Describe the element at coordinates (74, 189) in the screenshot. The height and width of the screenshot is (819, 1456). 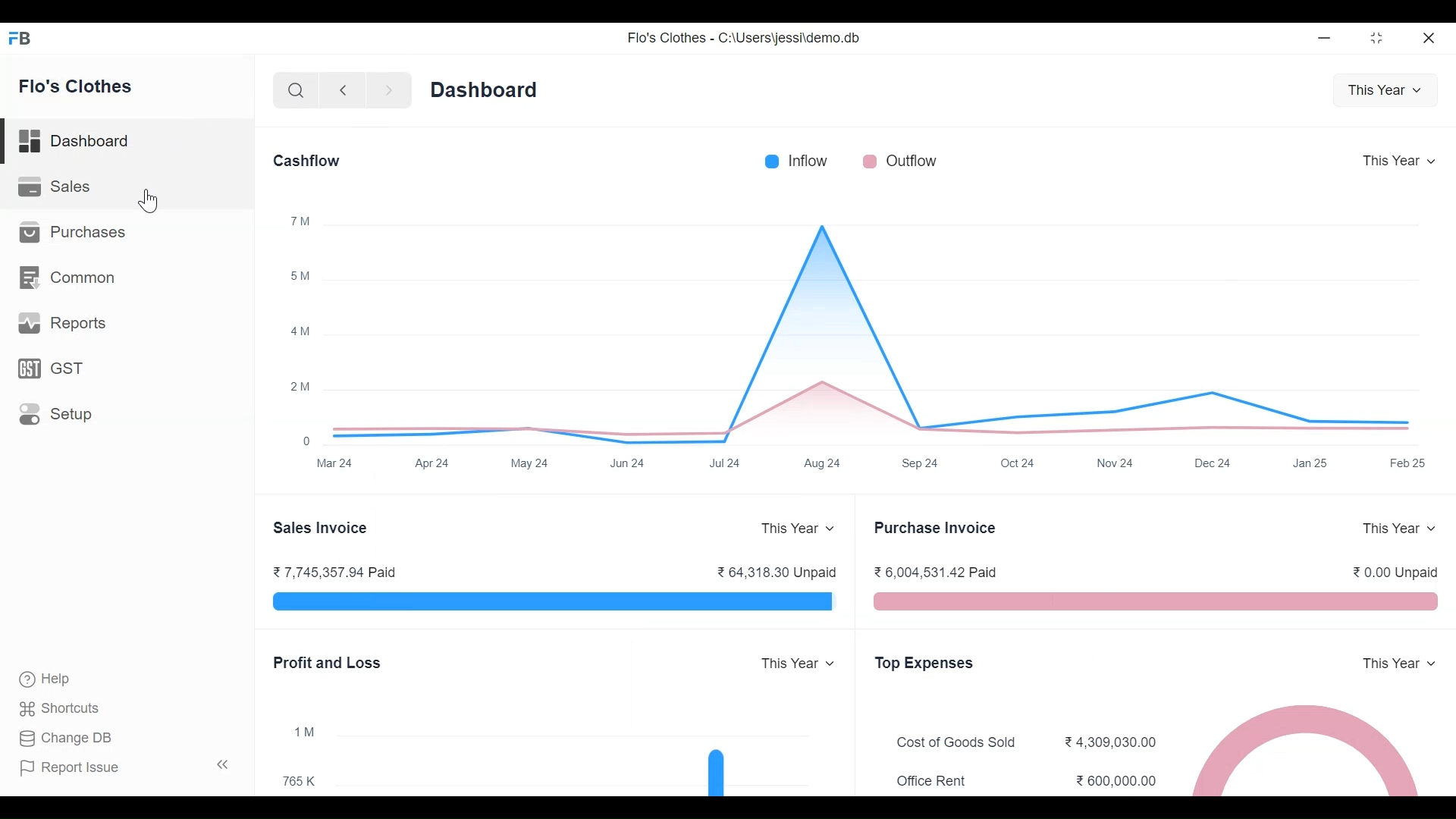
I see `Sales` at that location.